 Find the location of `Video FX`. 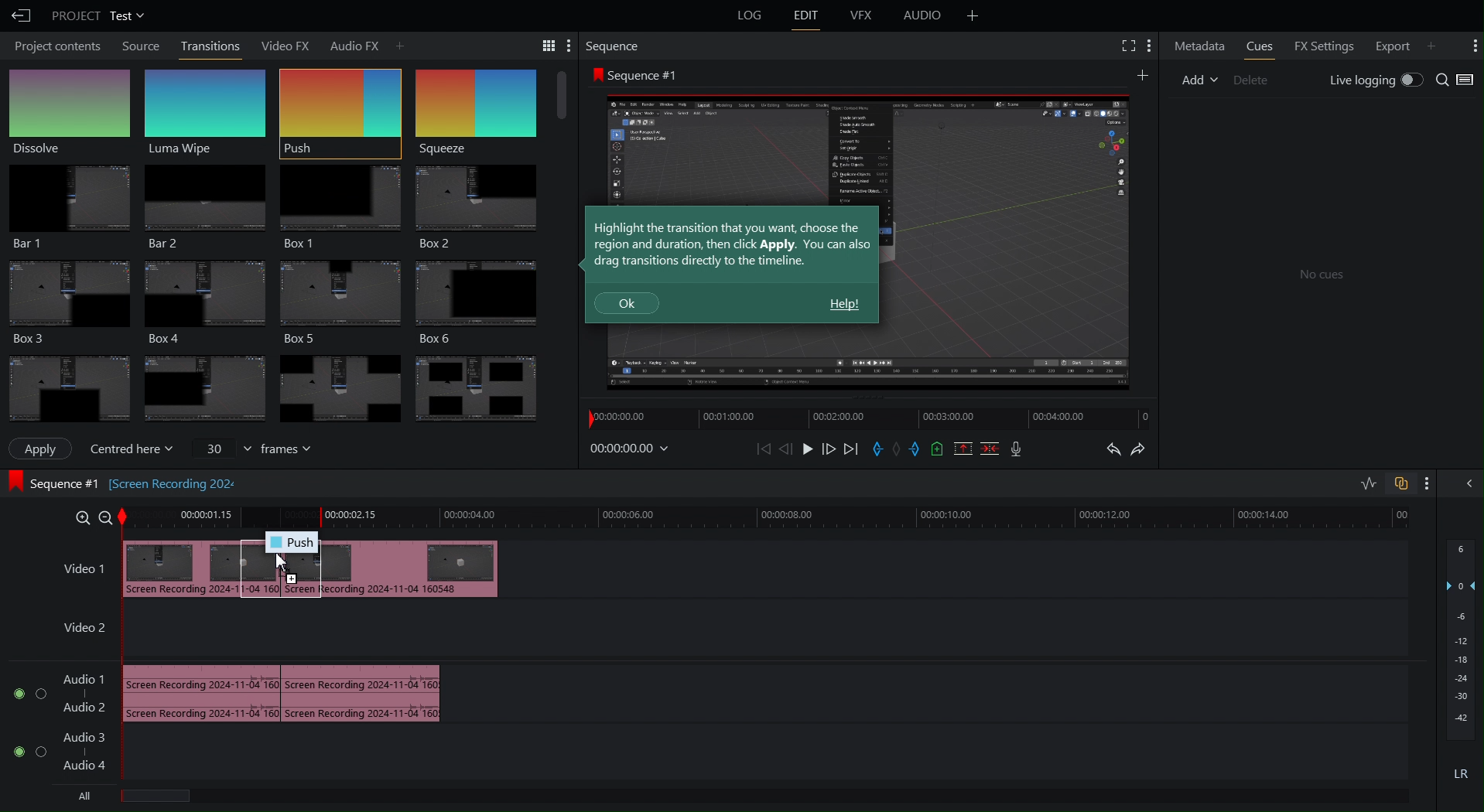

Video FX is located at coordinates (279, 44).